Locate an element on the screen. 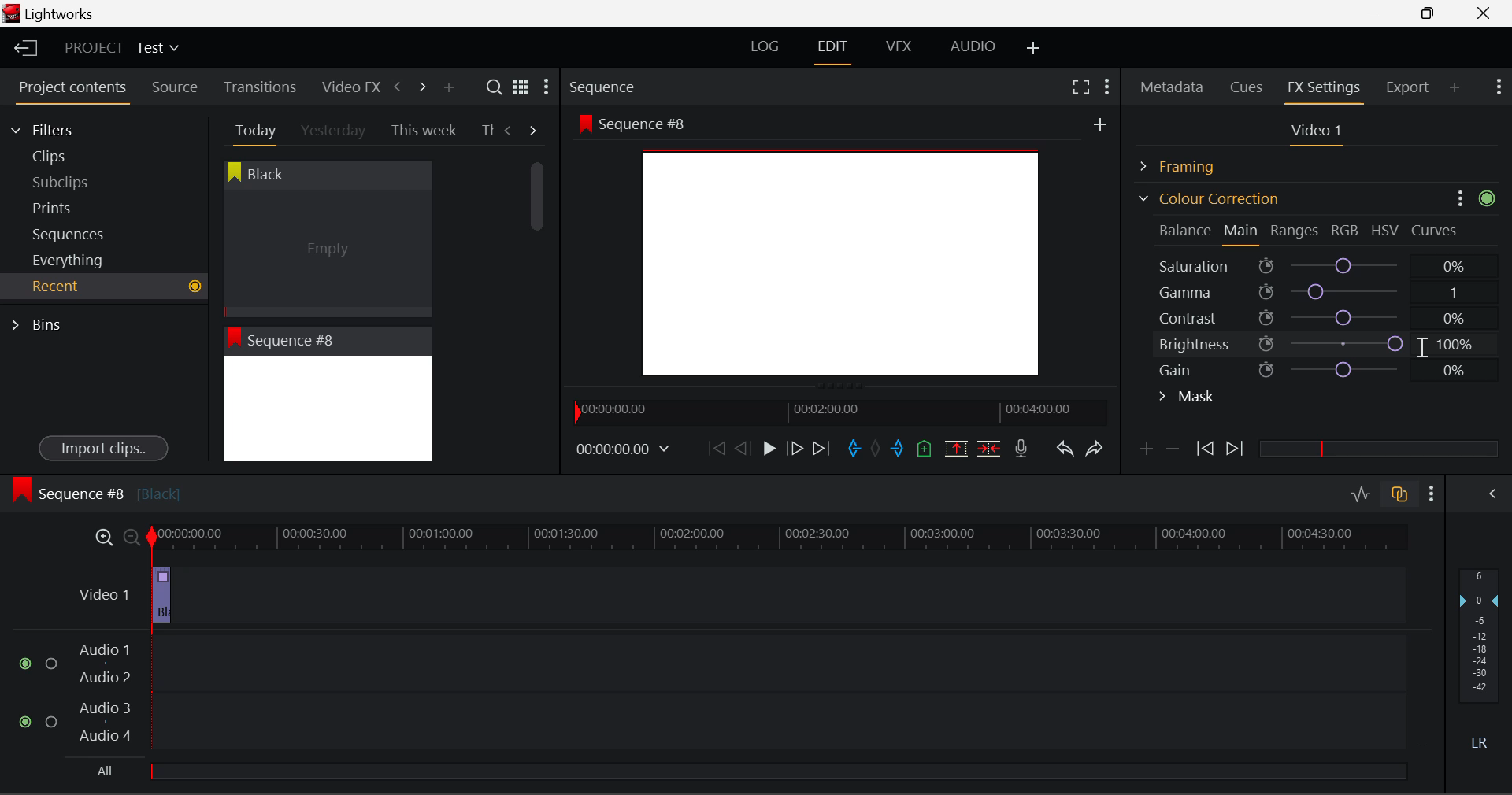 The height and width of the screenshot is (795, 1512). Curves is located at coordinates (1436, 230).